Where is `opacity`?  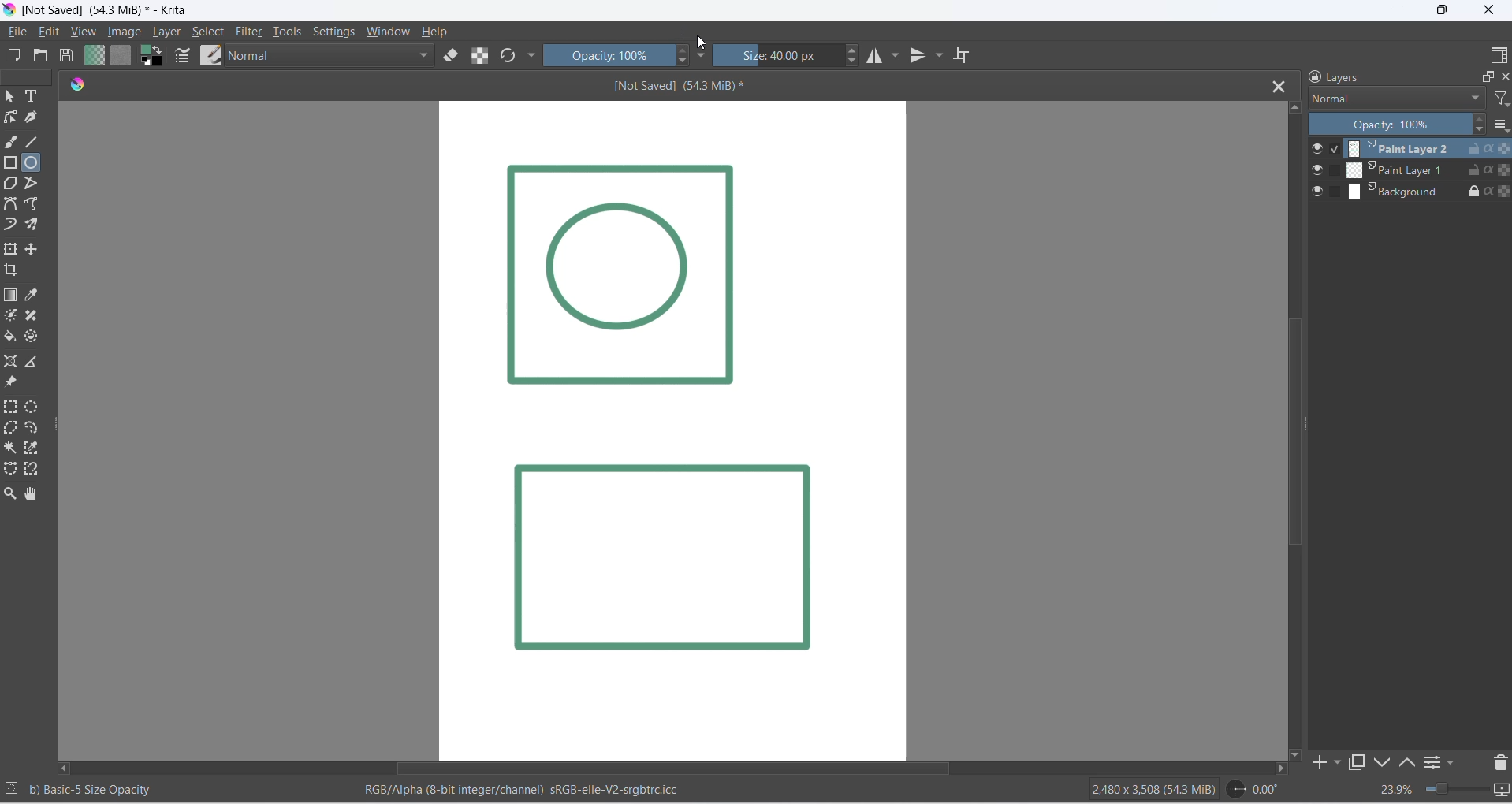
opacity is located at coordinates (605, 56).